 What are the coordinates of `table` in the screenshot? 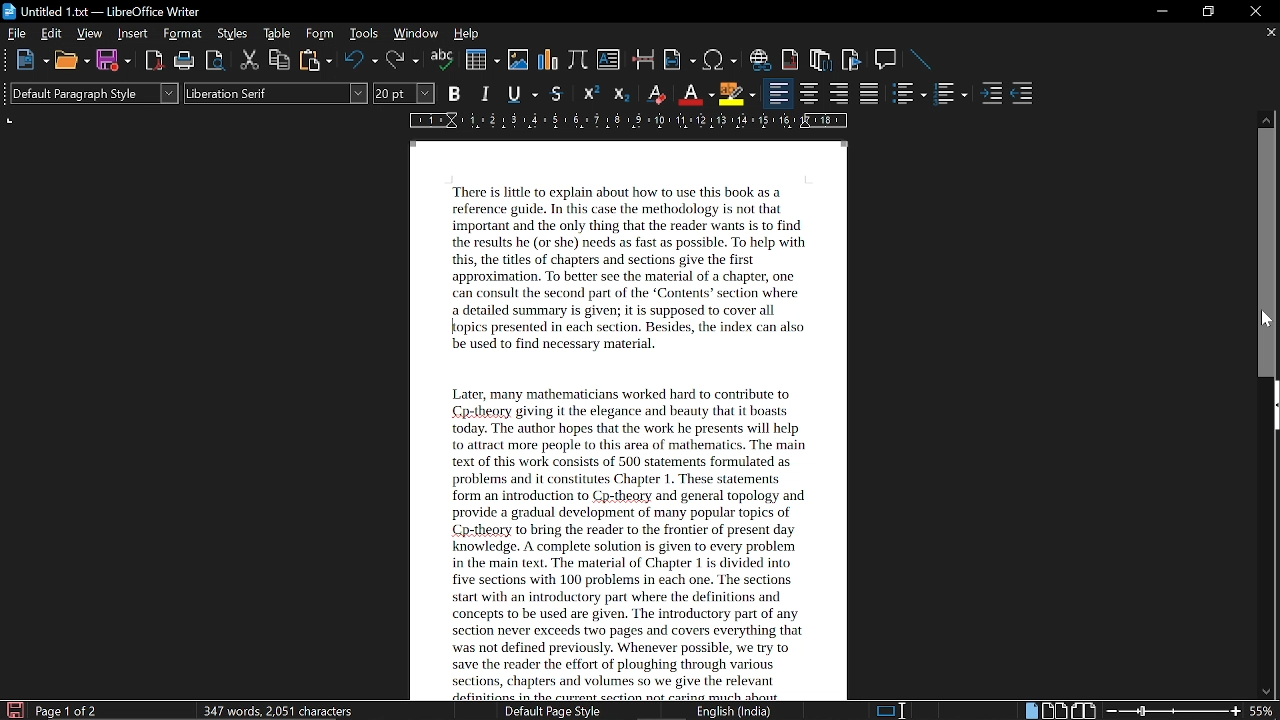 It's located at (277, 35).